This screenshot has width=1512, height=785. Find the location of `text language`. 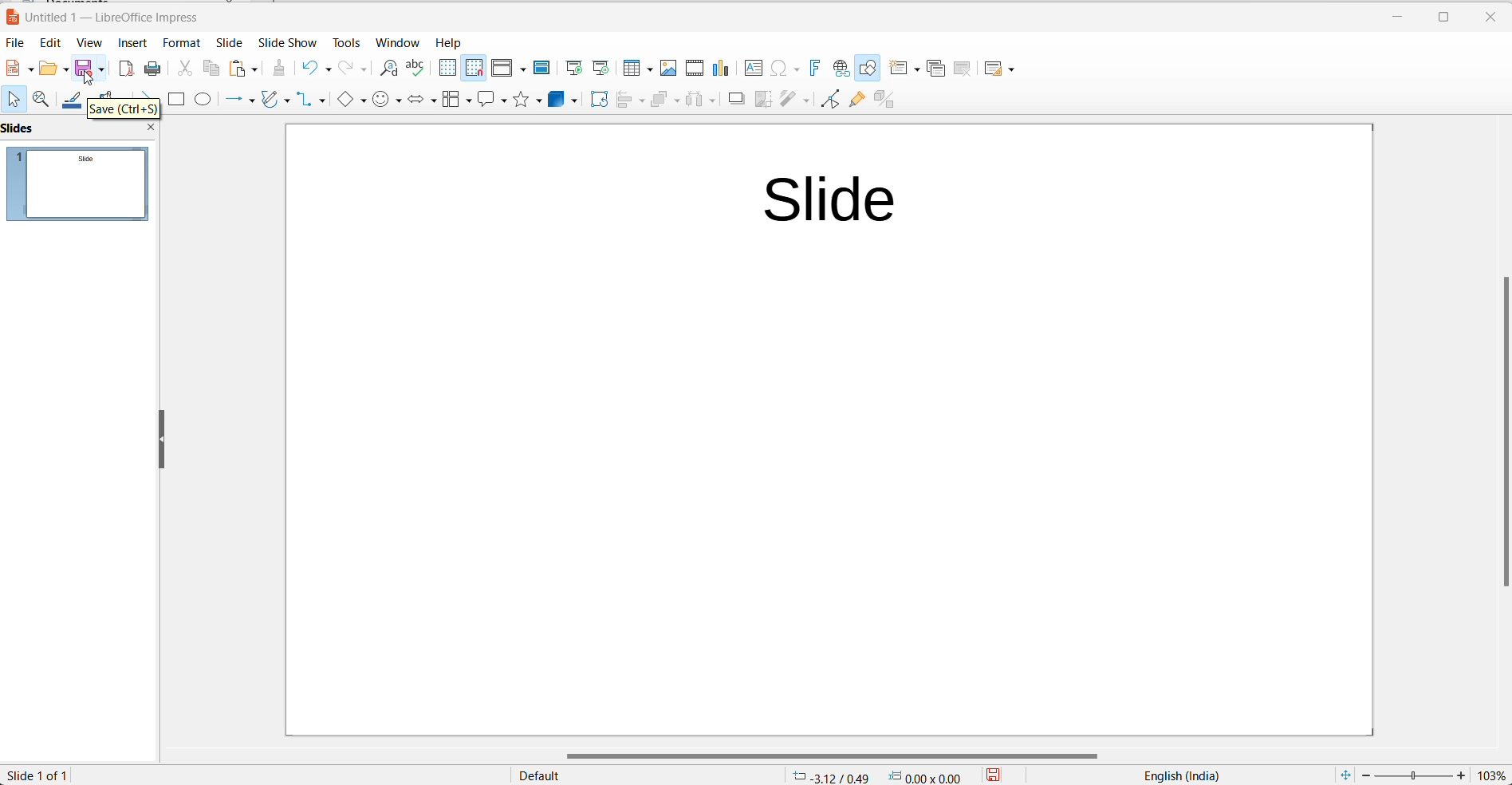

text language is located at coordinates (1173, 775).